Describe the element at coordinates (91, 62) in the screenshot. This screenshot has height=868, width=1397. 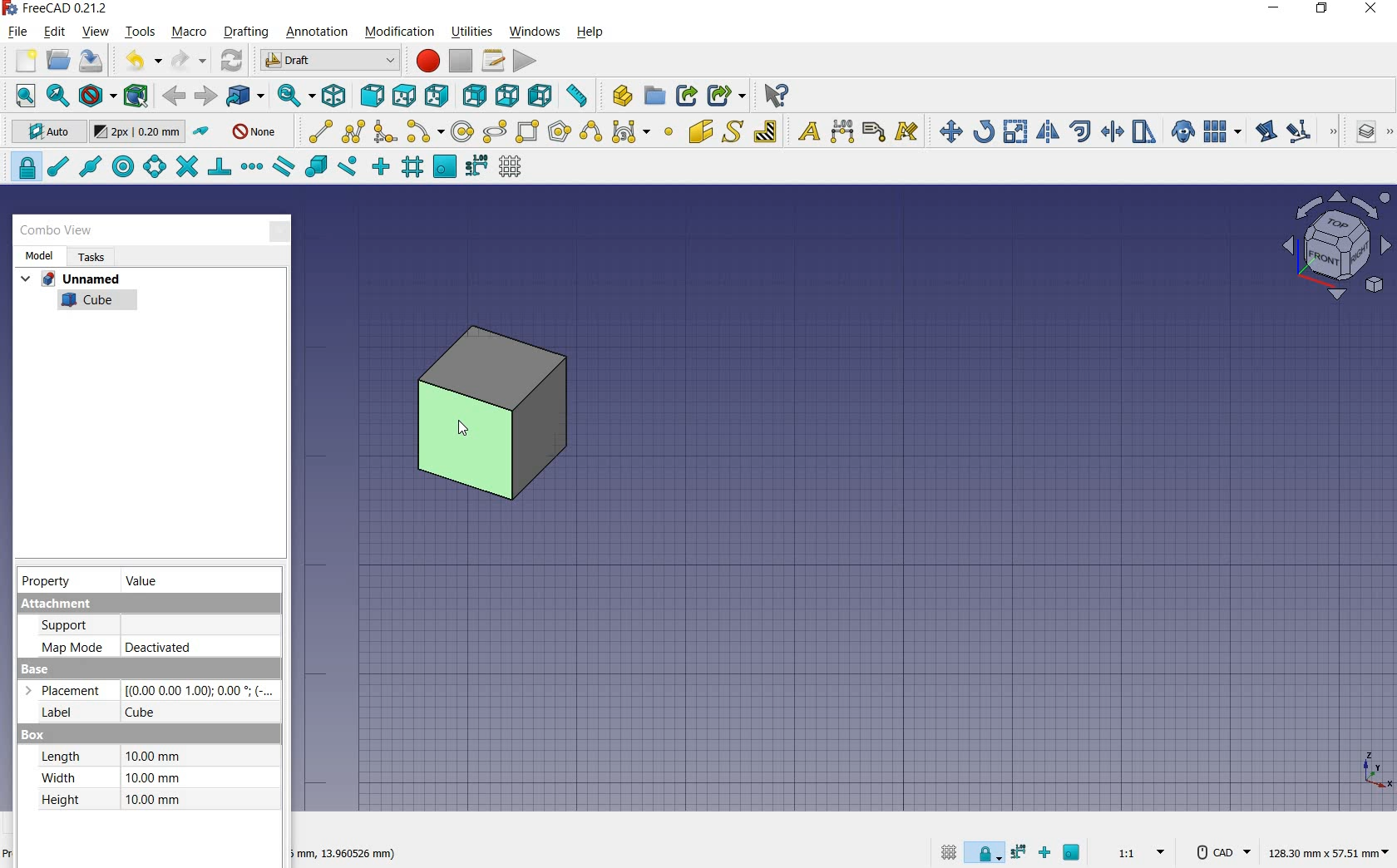
I see `save` at that location.